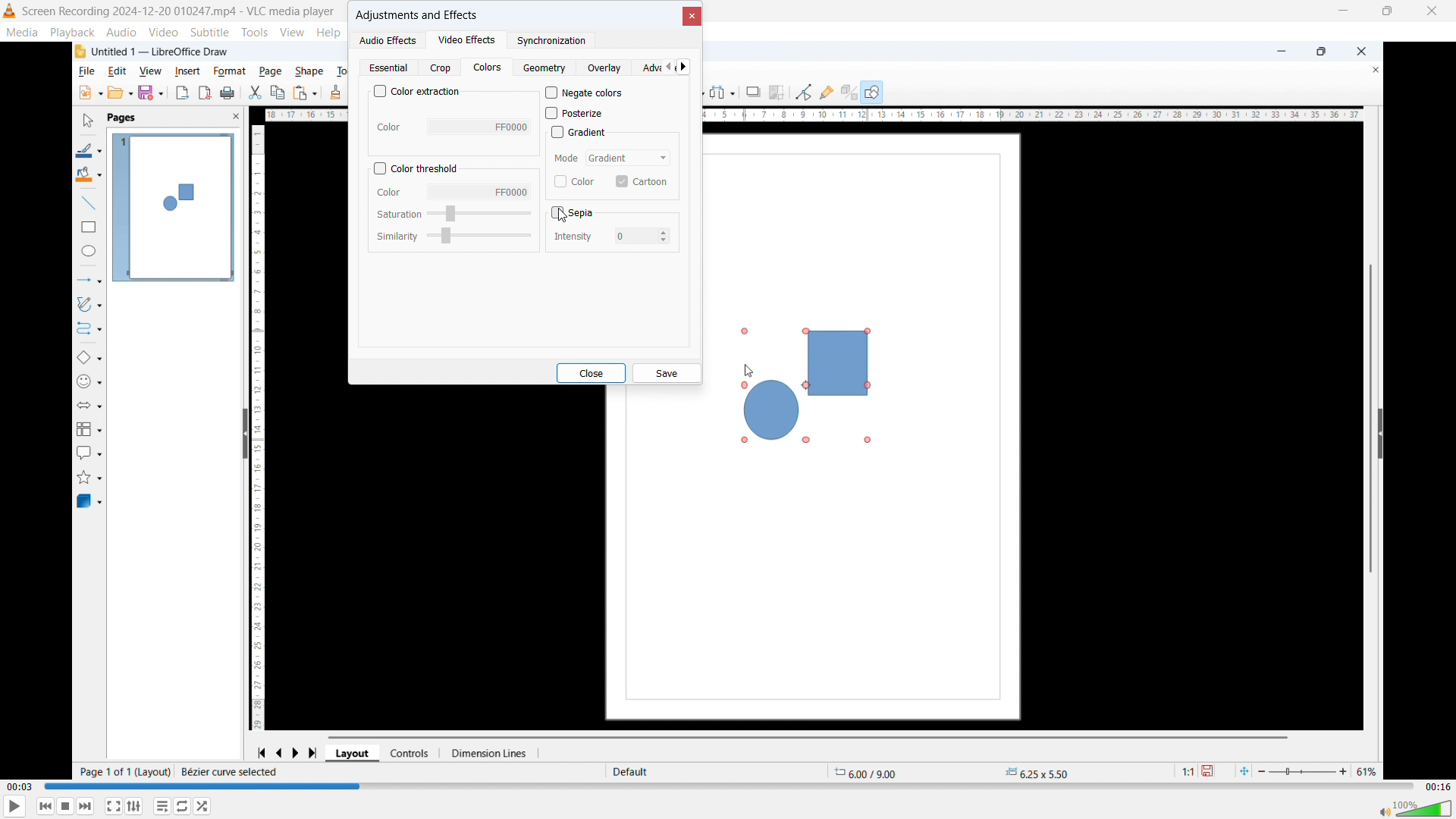 The image size is (1456, 819). Describe the element at coordinates (468, 40) in the screenshot. I see `Video effects ` at that location.